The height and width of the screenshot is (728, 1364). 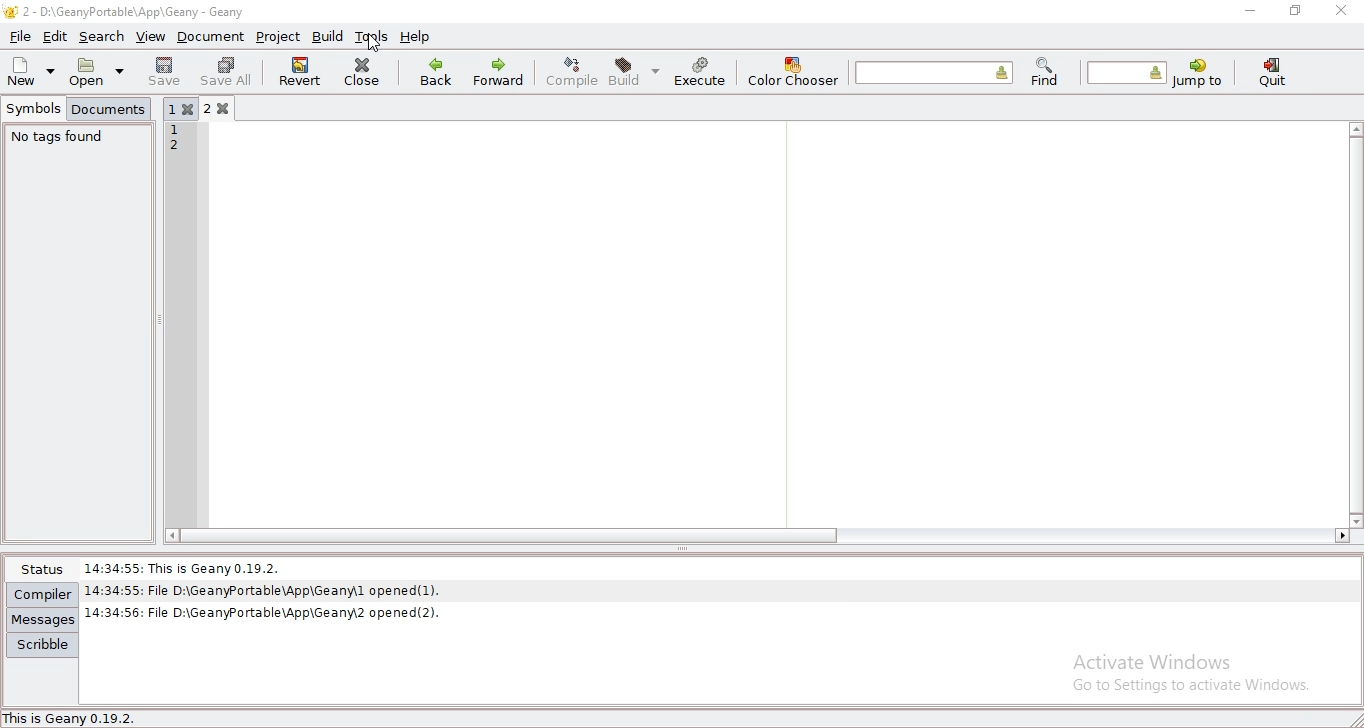 What do you see at coordinates (1044, 72) in the screenshot?
I see `find` at bounding box center [1044, 72].